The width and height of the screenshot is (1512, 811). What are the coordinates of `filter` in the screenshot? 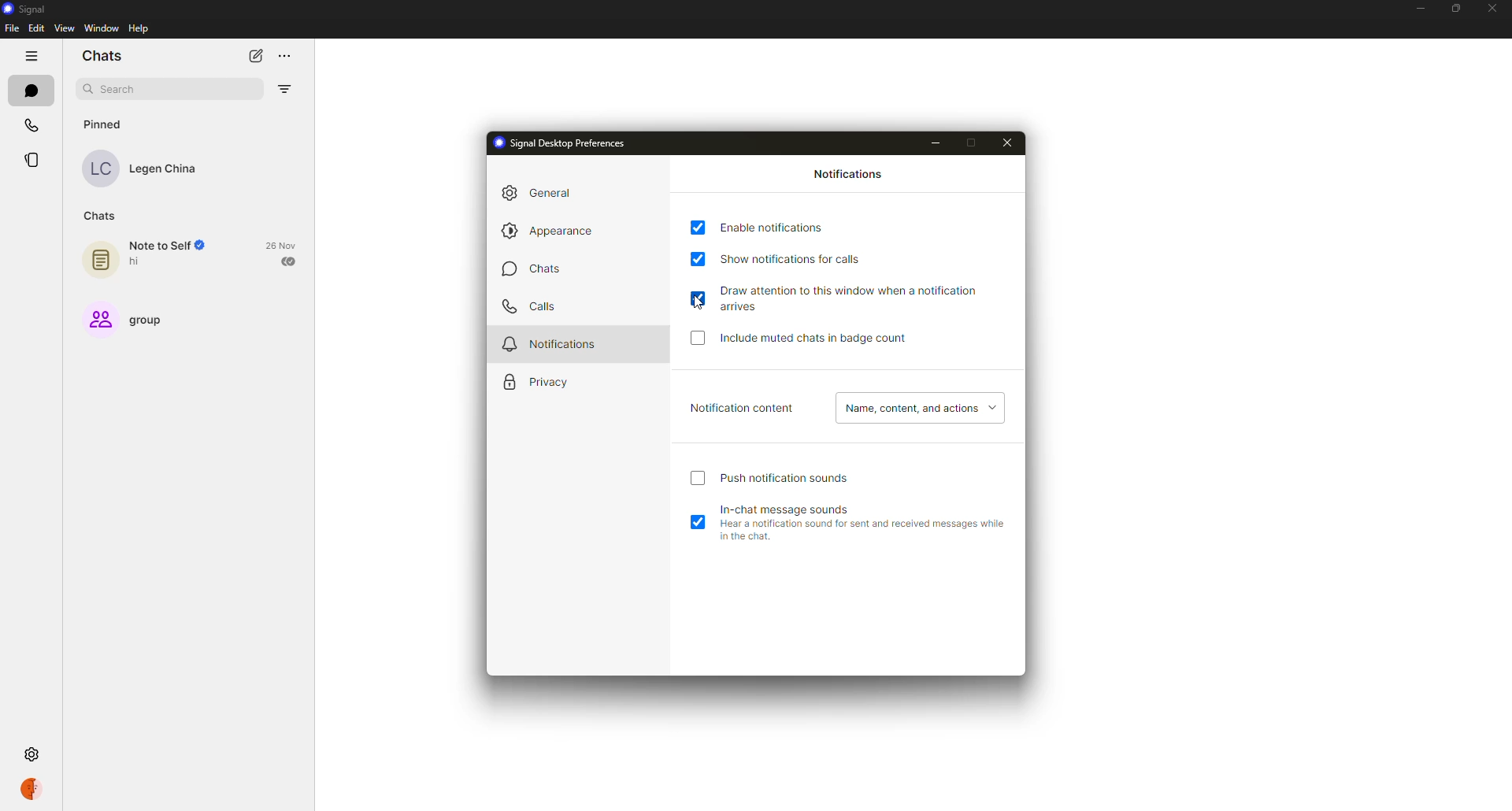 It's located at (287, 89).